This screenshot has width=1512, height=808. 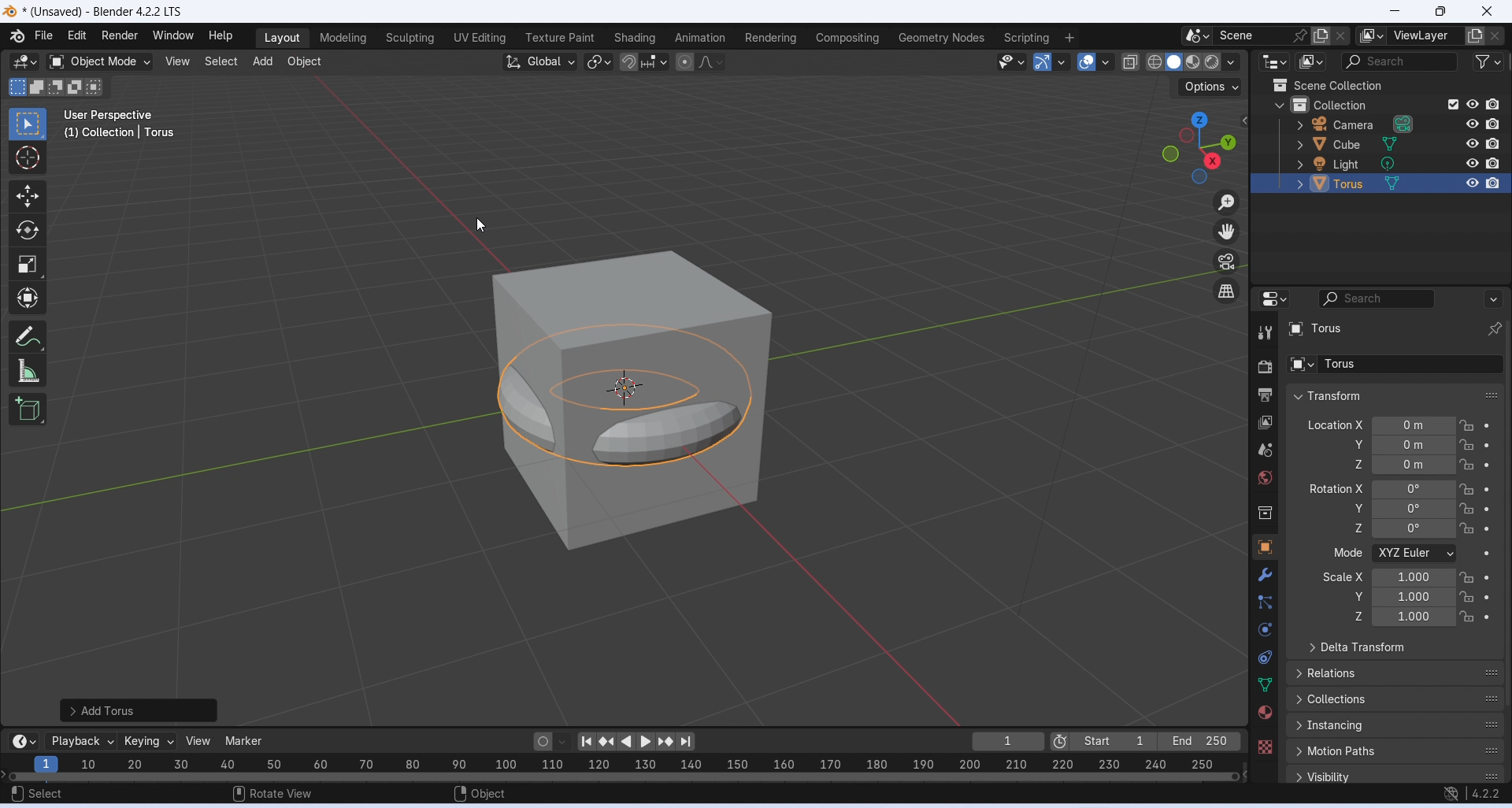 What do you see at coordinates (1262, 367) in the screenshot?
I see `Render` at bounding box center [1262, 367].